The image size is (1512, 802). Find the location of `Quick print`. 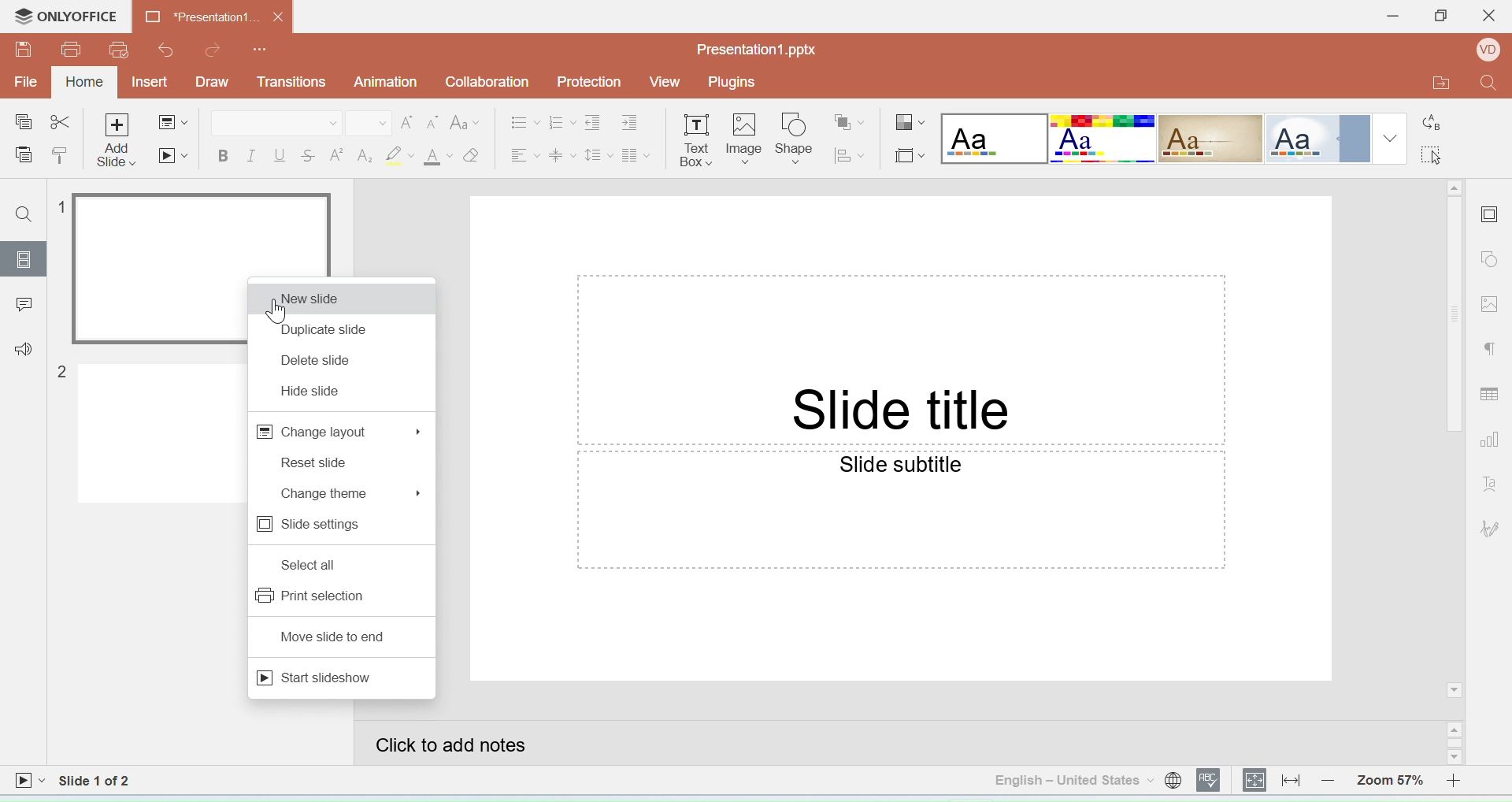

Quick print is located at coordinates (119, 51).